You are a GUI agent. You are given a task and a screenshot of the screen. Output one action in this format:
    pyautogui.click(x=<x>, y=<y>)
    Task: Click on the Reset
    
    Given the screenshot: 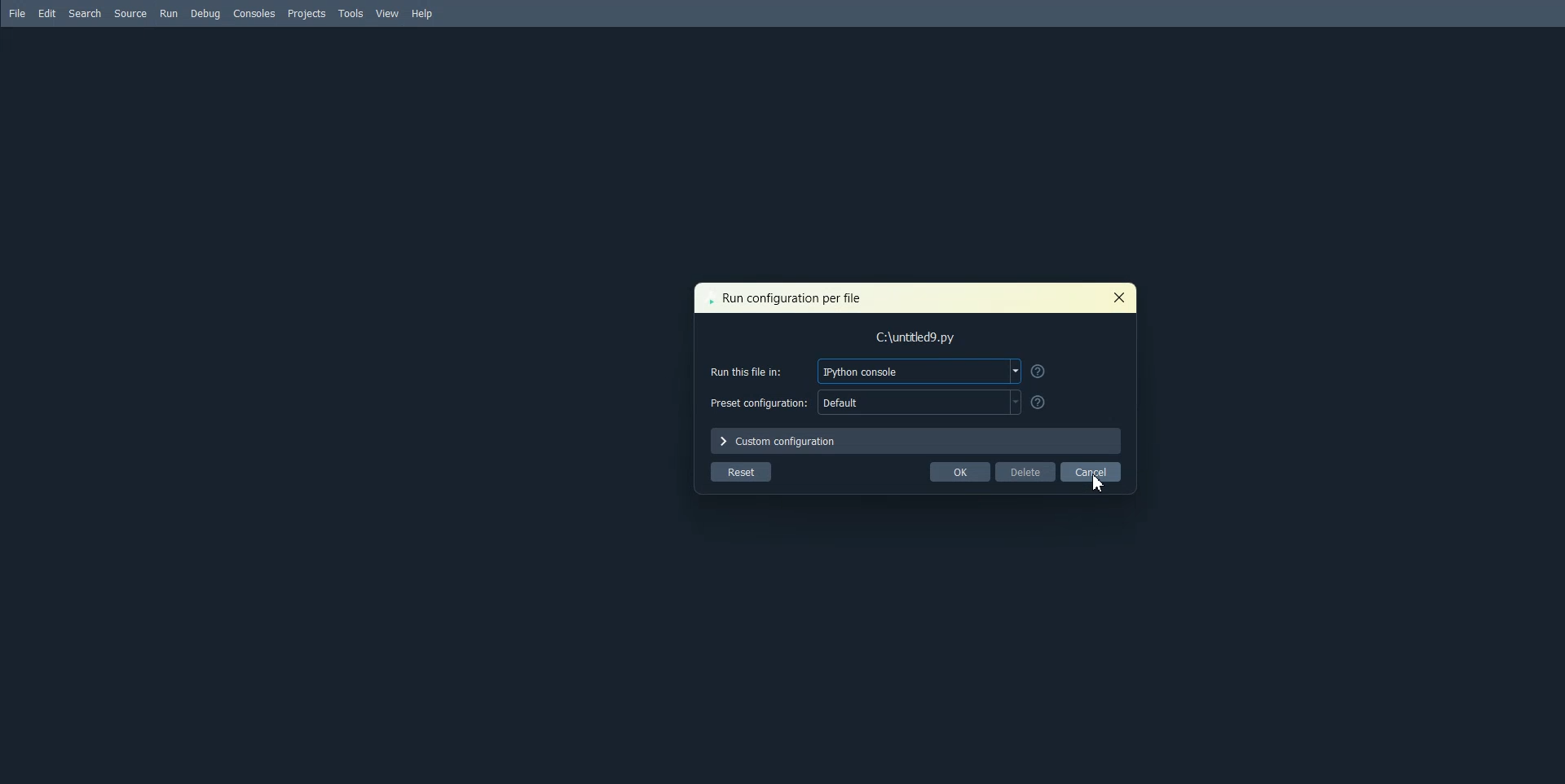 What is the action you would take?
    pyautogui.click(x=741, y=472)
    